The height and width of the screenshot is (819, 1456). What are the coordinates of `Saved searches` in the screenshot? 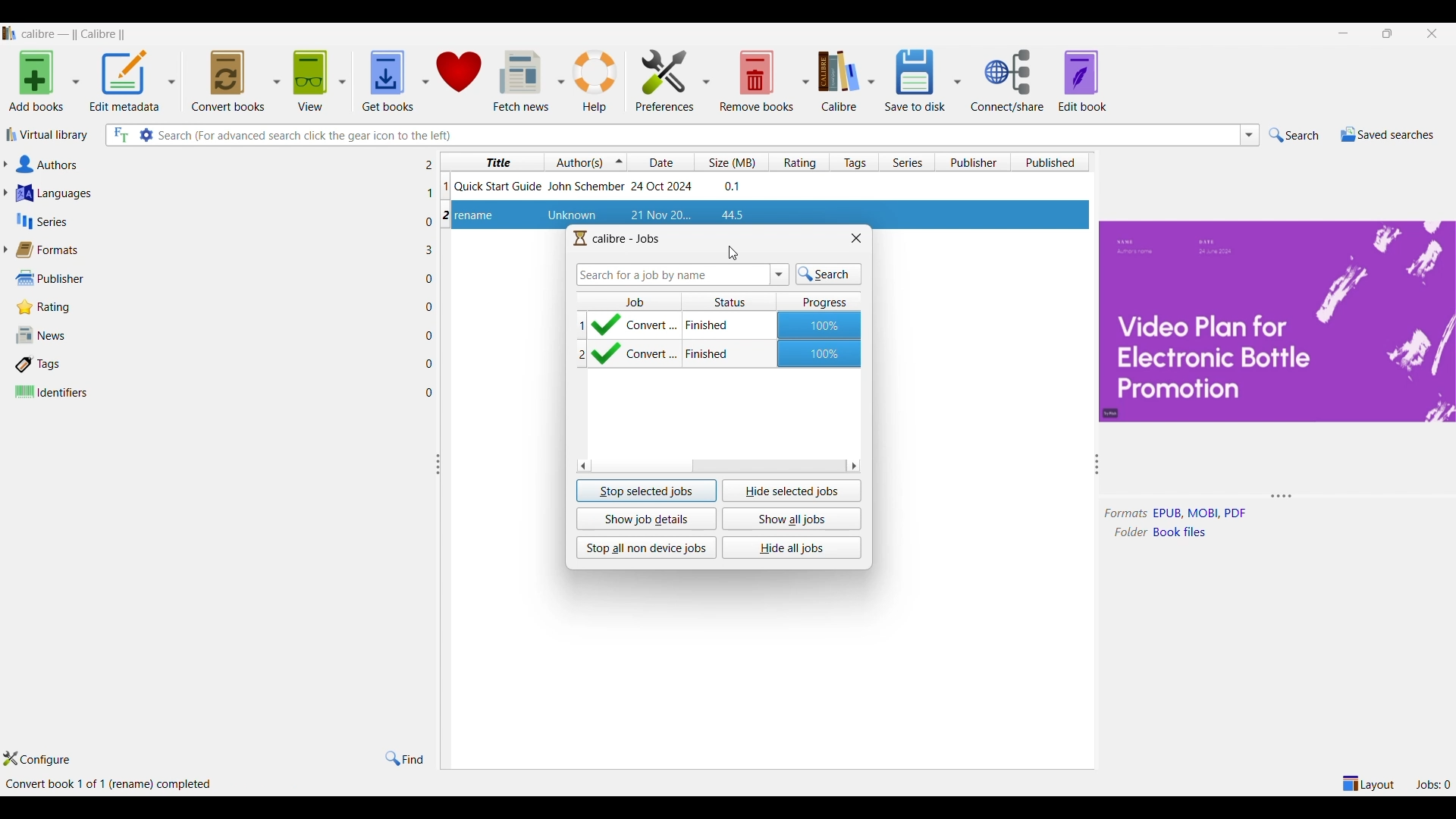 It's located at (1387, 134).